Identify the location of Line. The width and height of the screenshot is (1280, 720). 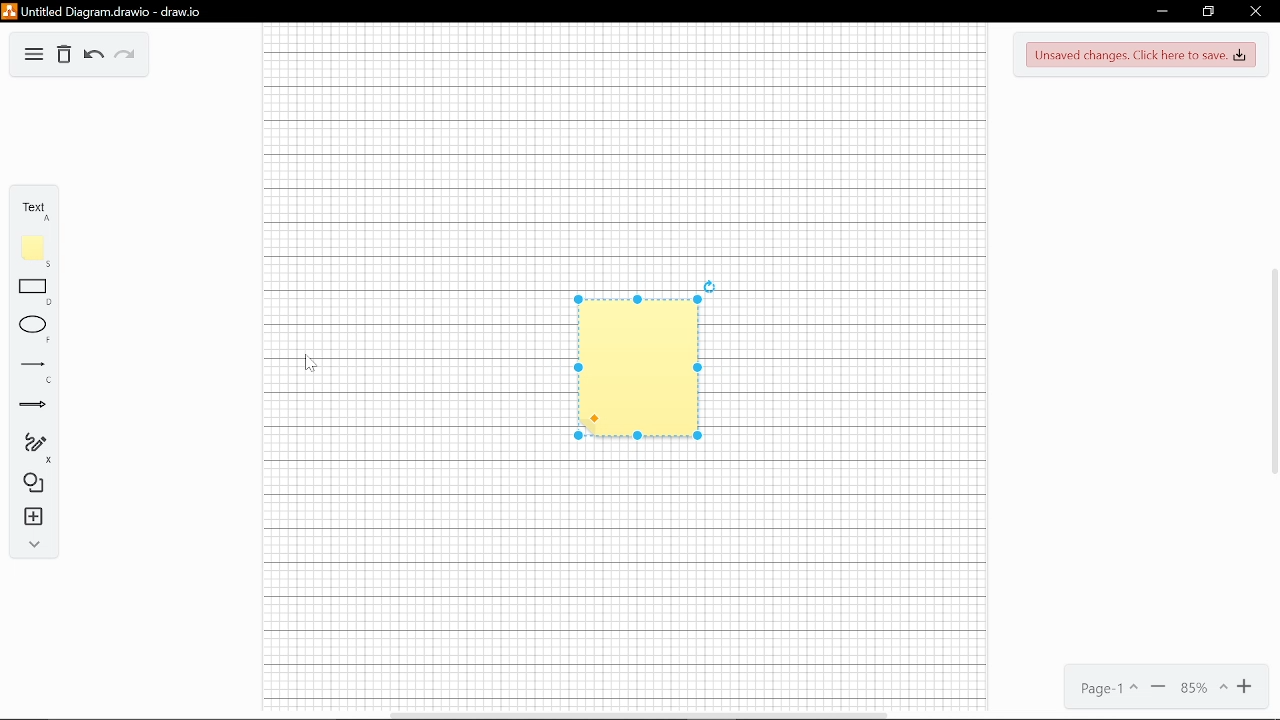
(34, 365).